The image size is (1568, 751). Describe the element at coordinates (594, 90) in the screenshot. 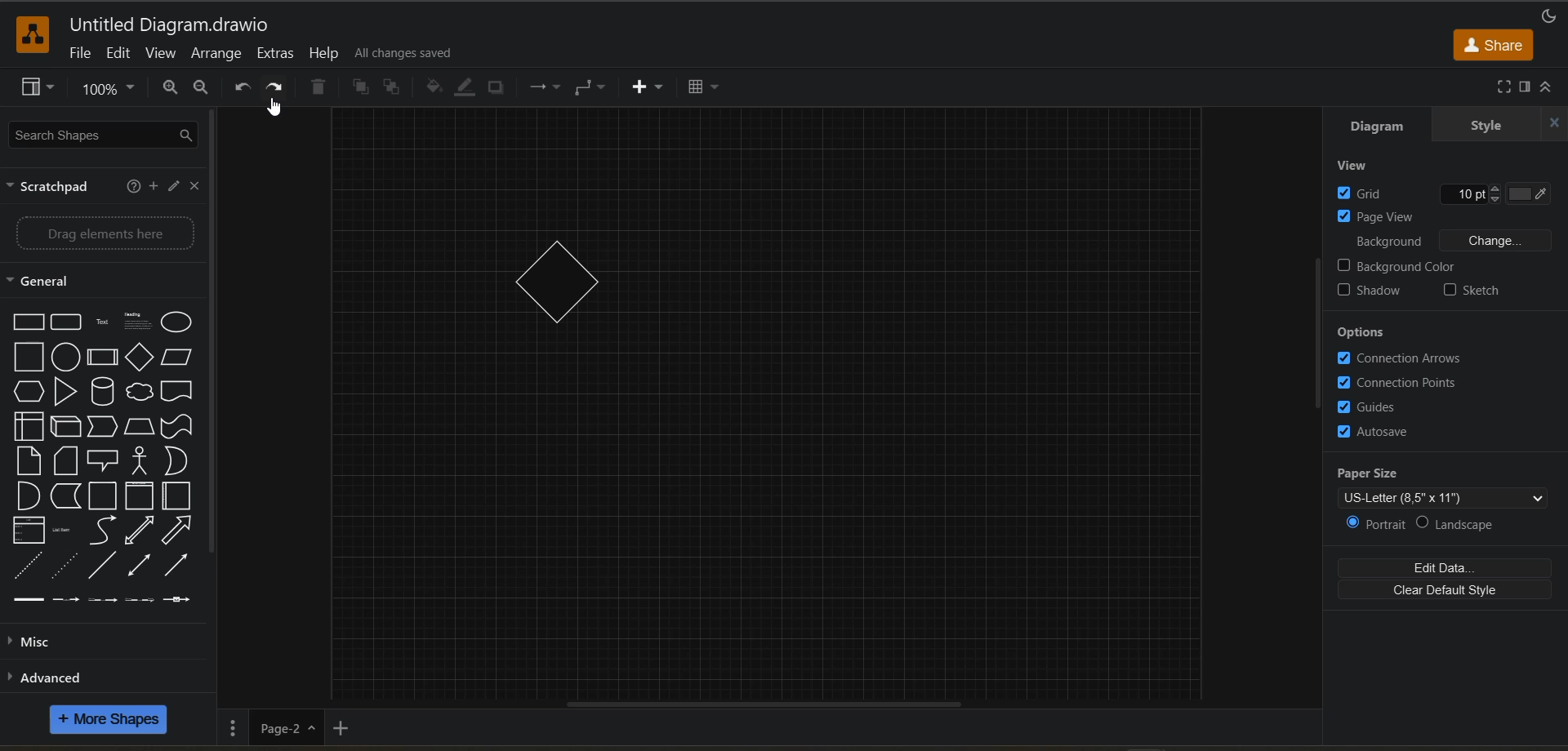

I see `waypoints` at that location.